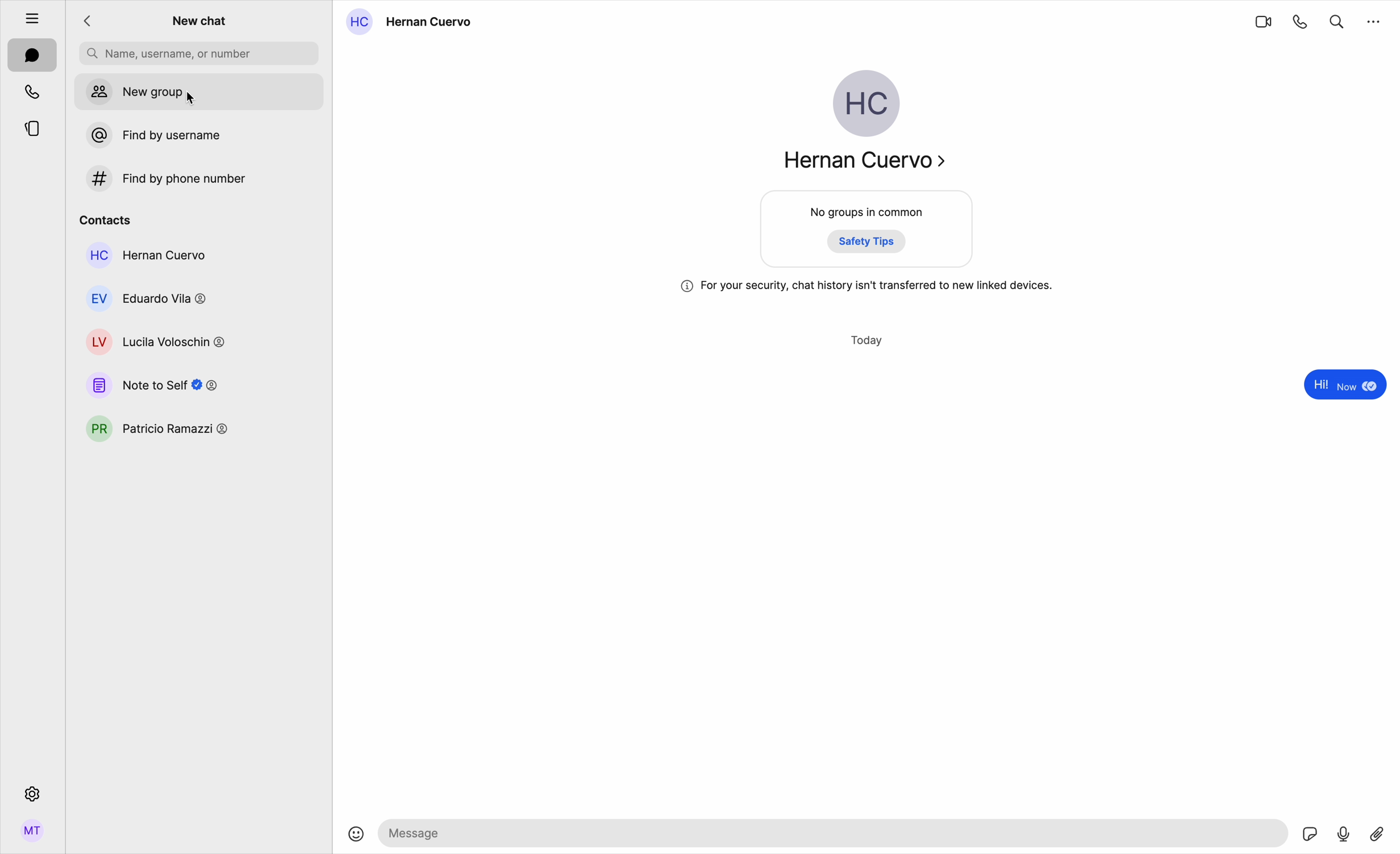  What do you see at coordinates (1262, 21) in the screenshot?
I see `videocall` at bounding box center [1262, 21].